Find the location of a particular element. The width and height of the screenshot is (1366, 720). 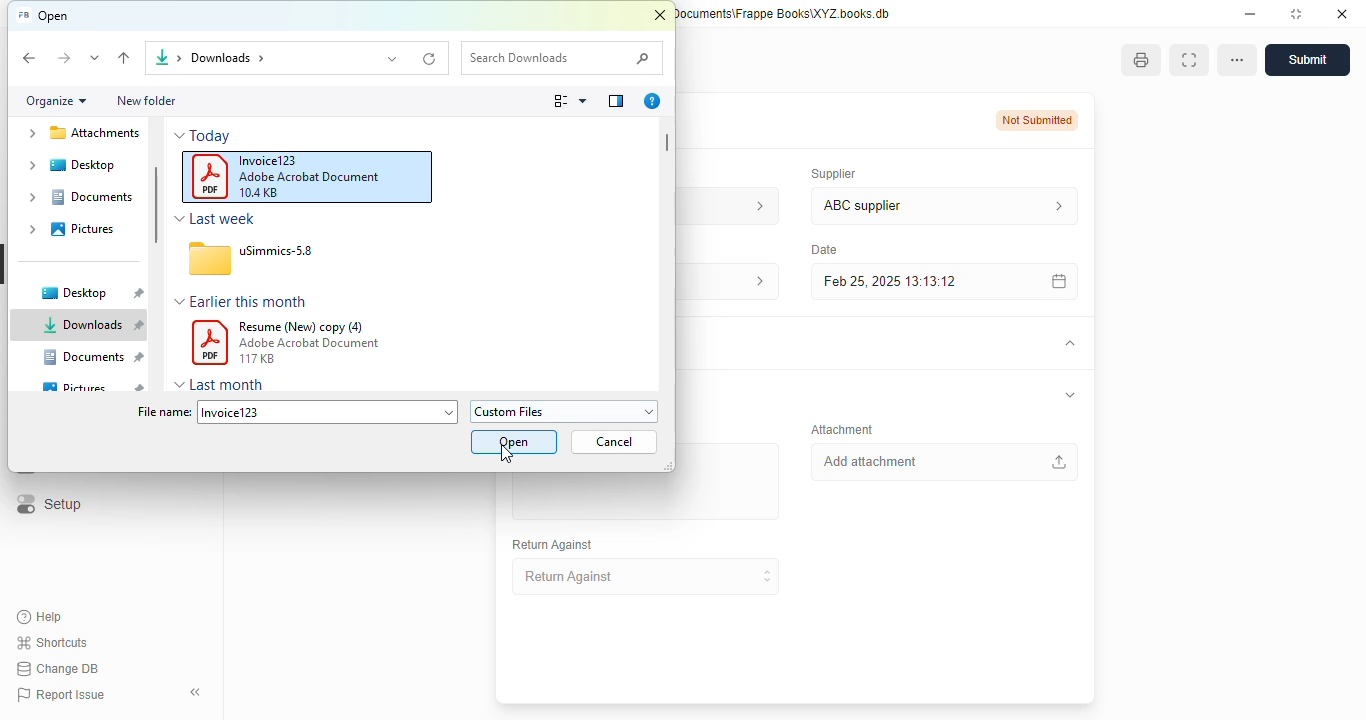

Not submitted is located at coordinates (1038, 120).